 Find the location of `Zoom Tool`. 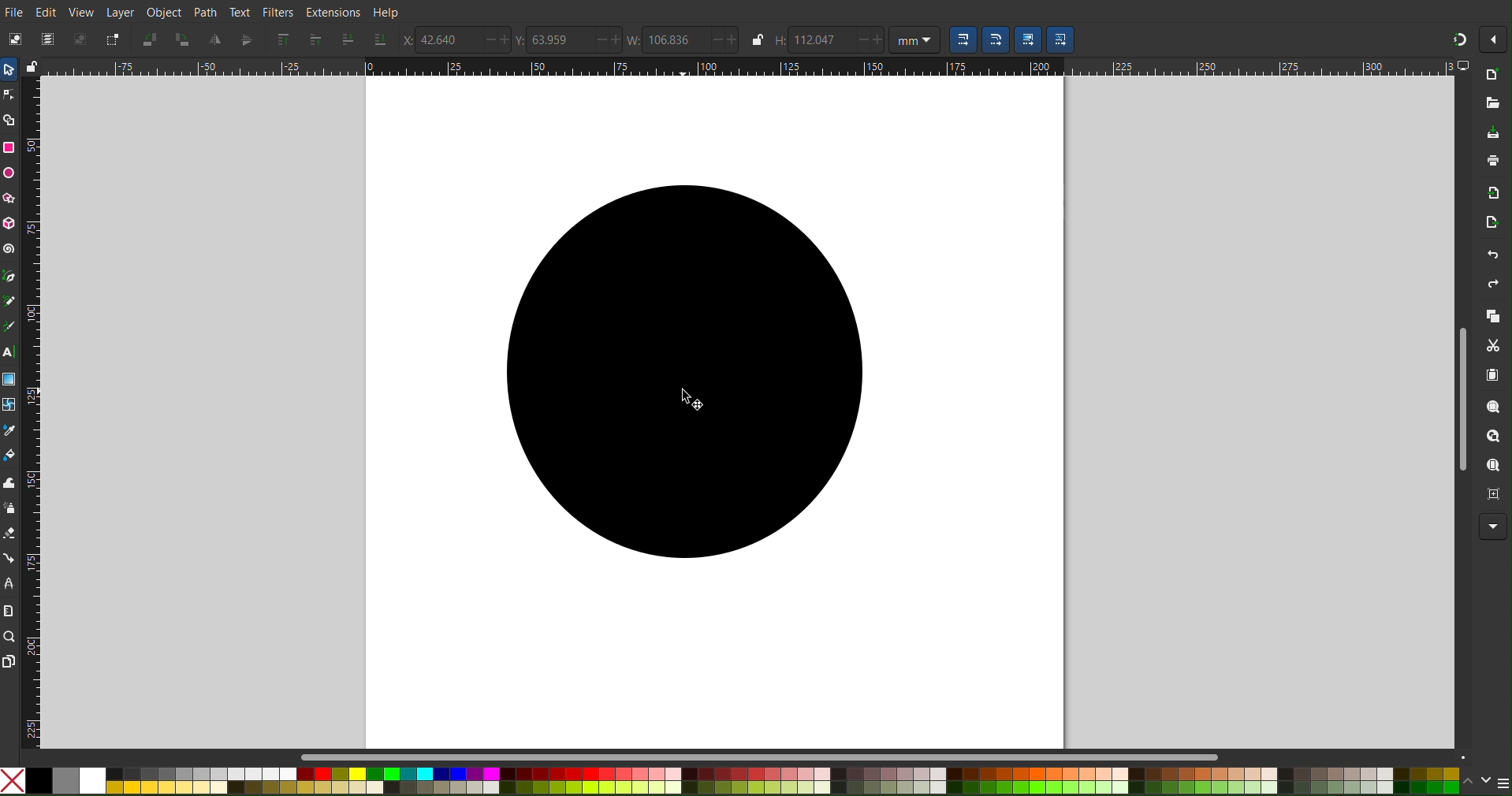

Zoom Tool is located at coordinates (9, 638).